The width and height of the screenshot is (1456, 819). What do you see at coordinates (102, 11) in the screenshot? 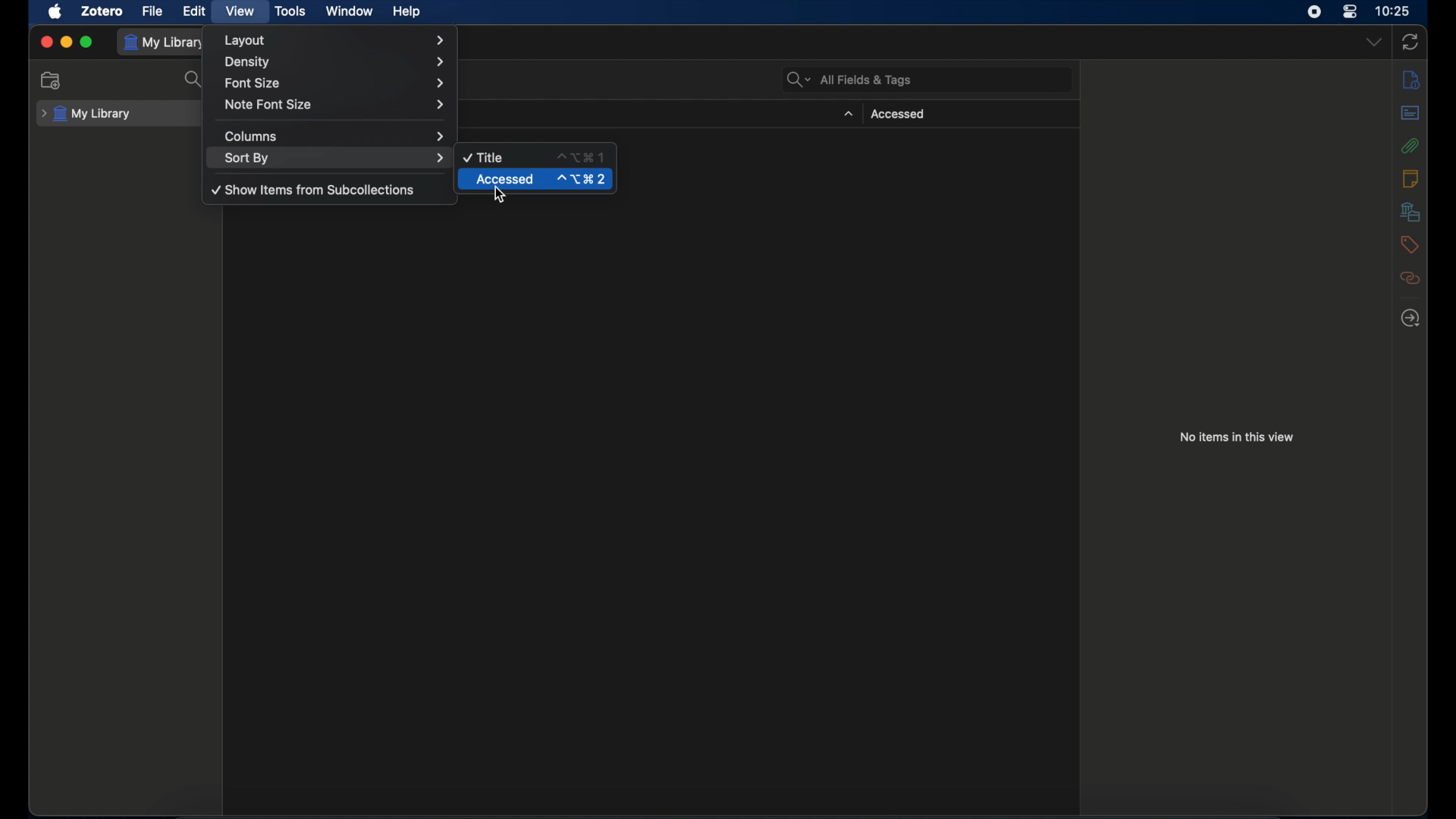
I see `zotero` at bounding box center [102, 11].